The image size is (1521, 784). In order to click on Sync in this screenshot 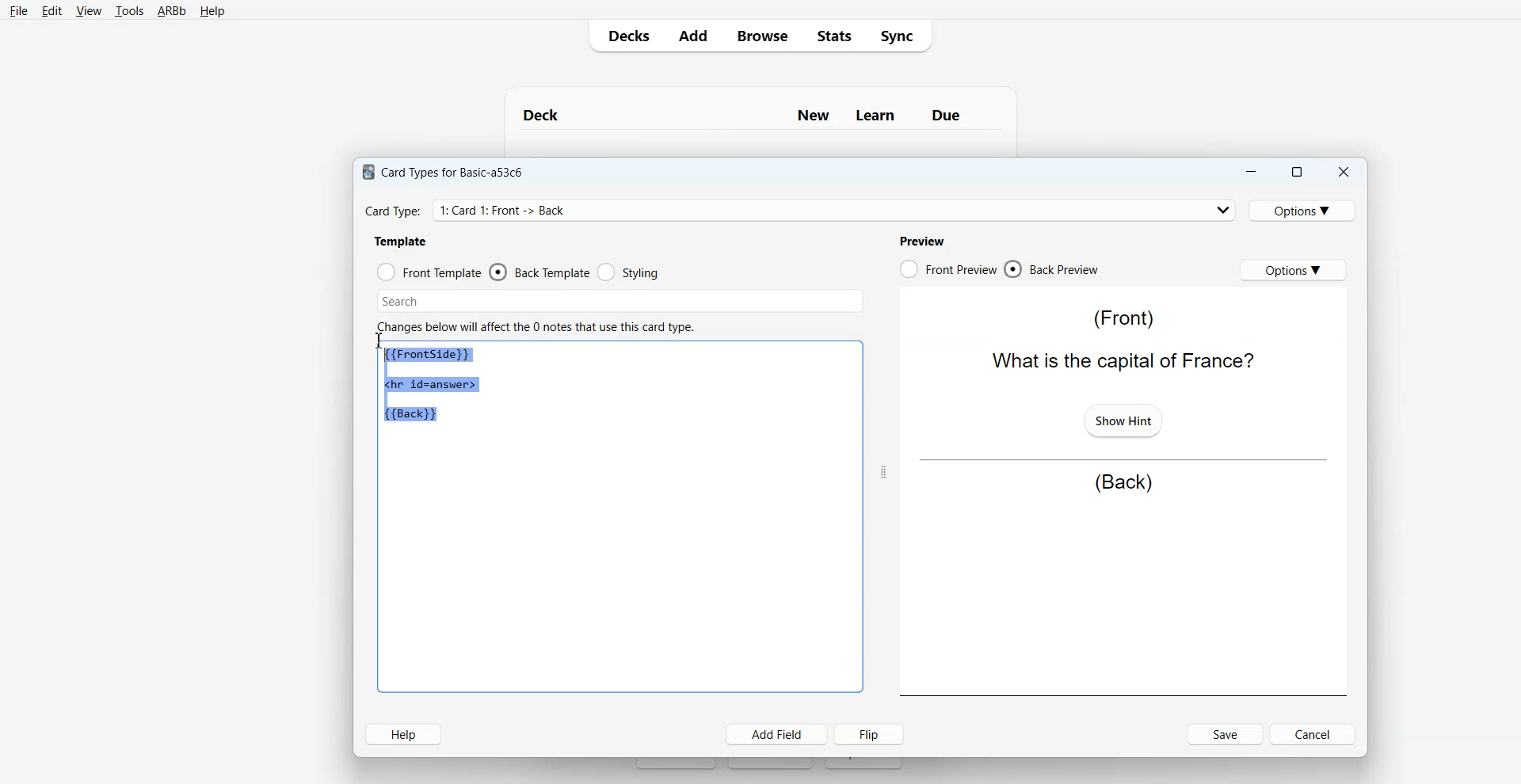, I will do `click(902, 35)`.